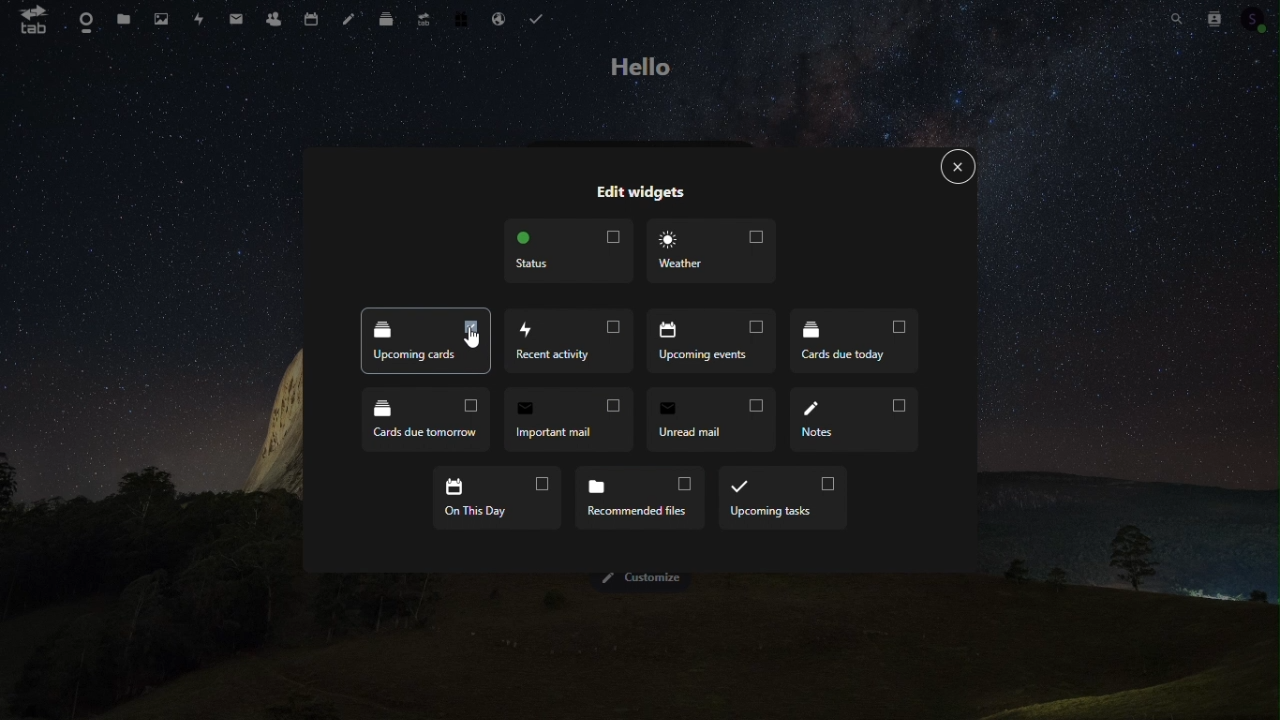 This screenshot has width=1280, height=720. What do you see at coordinates (640, 193) in the screenshot?
I see `edit widgets` at bounding box center [640, 193].